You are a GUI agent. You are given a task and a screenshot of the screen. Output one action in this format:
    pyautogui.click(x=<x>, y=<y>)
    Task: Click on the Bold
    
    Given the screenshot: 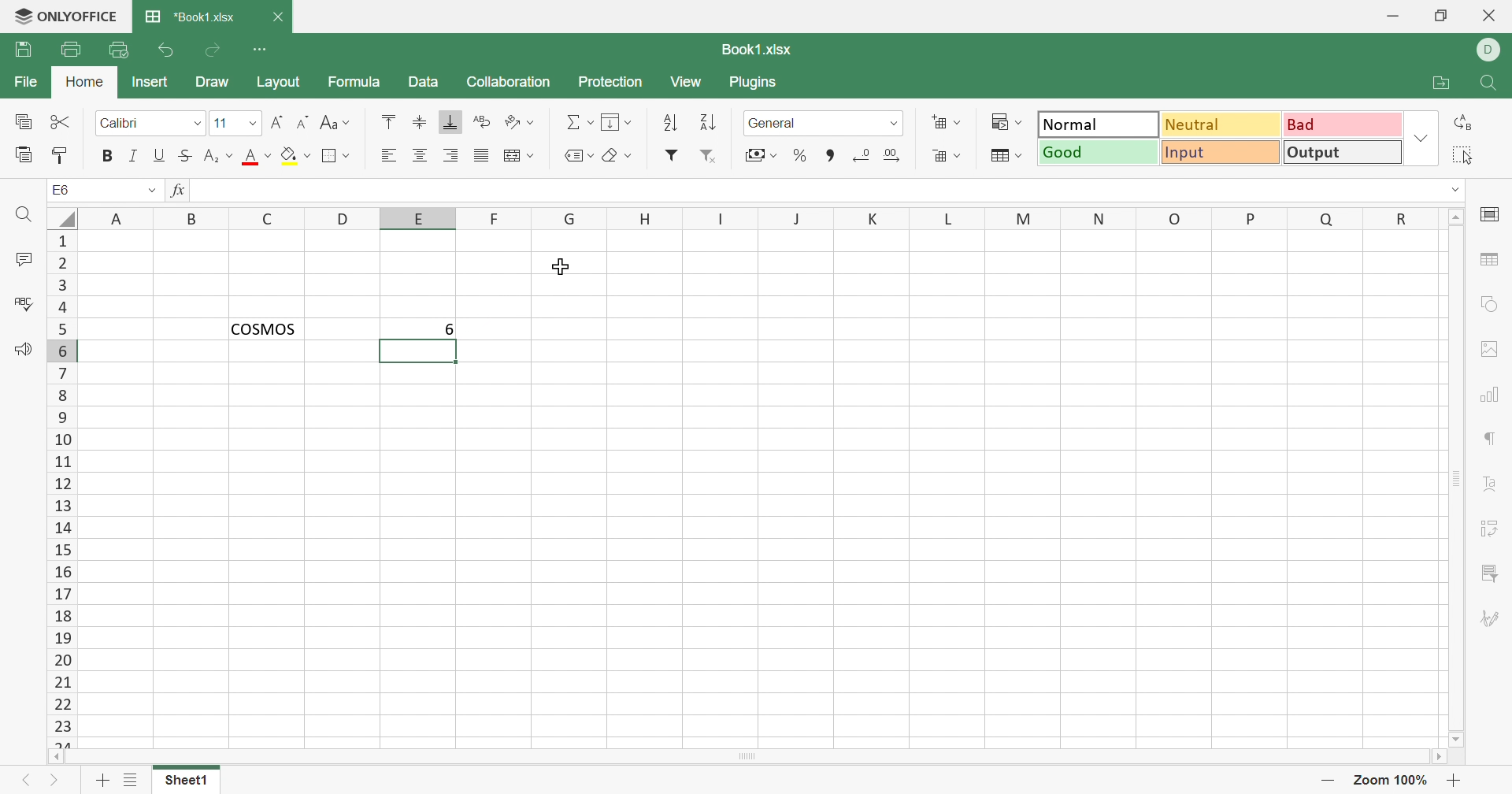 What is the action you would take?
    pyautogui.click(x=106, y=156)
    